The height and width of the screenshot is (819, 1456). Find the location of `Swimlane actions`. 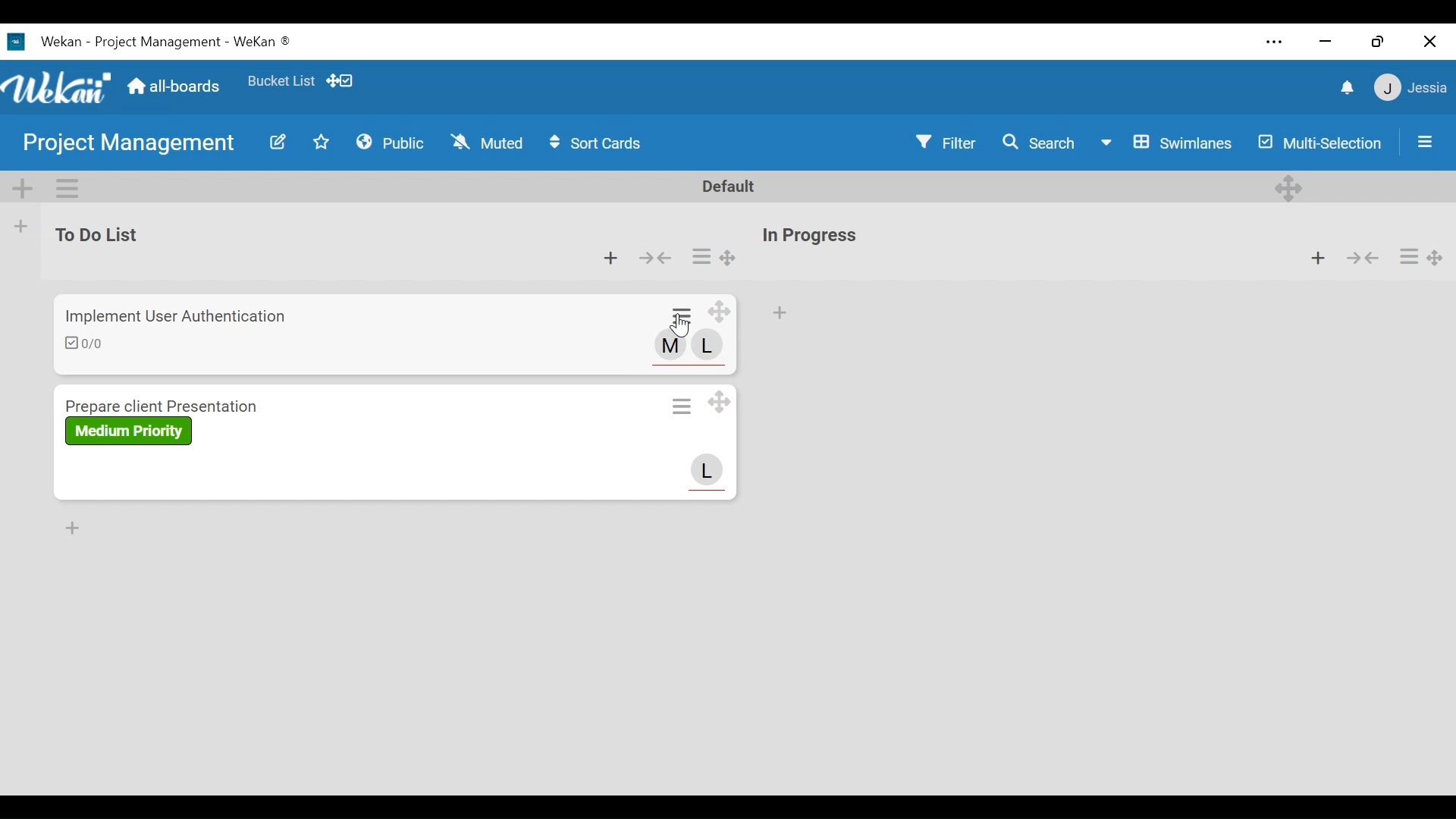

Swimlane actions is located at coordinates (69, 186).